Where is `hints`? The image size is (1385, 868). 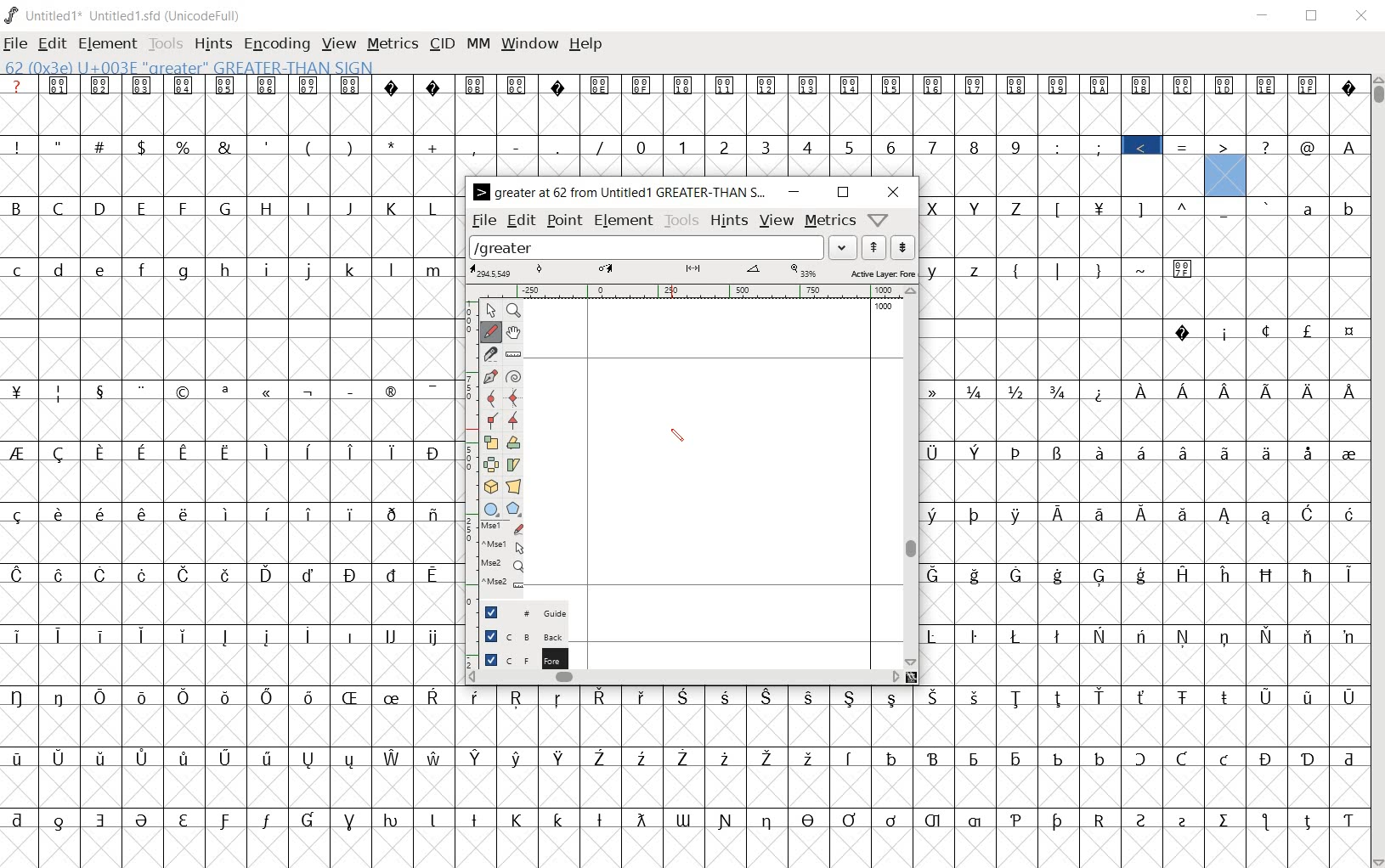
hints is located at coordinates (213, 44).